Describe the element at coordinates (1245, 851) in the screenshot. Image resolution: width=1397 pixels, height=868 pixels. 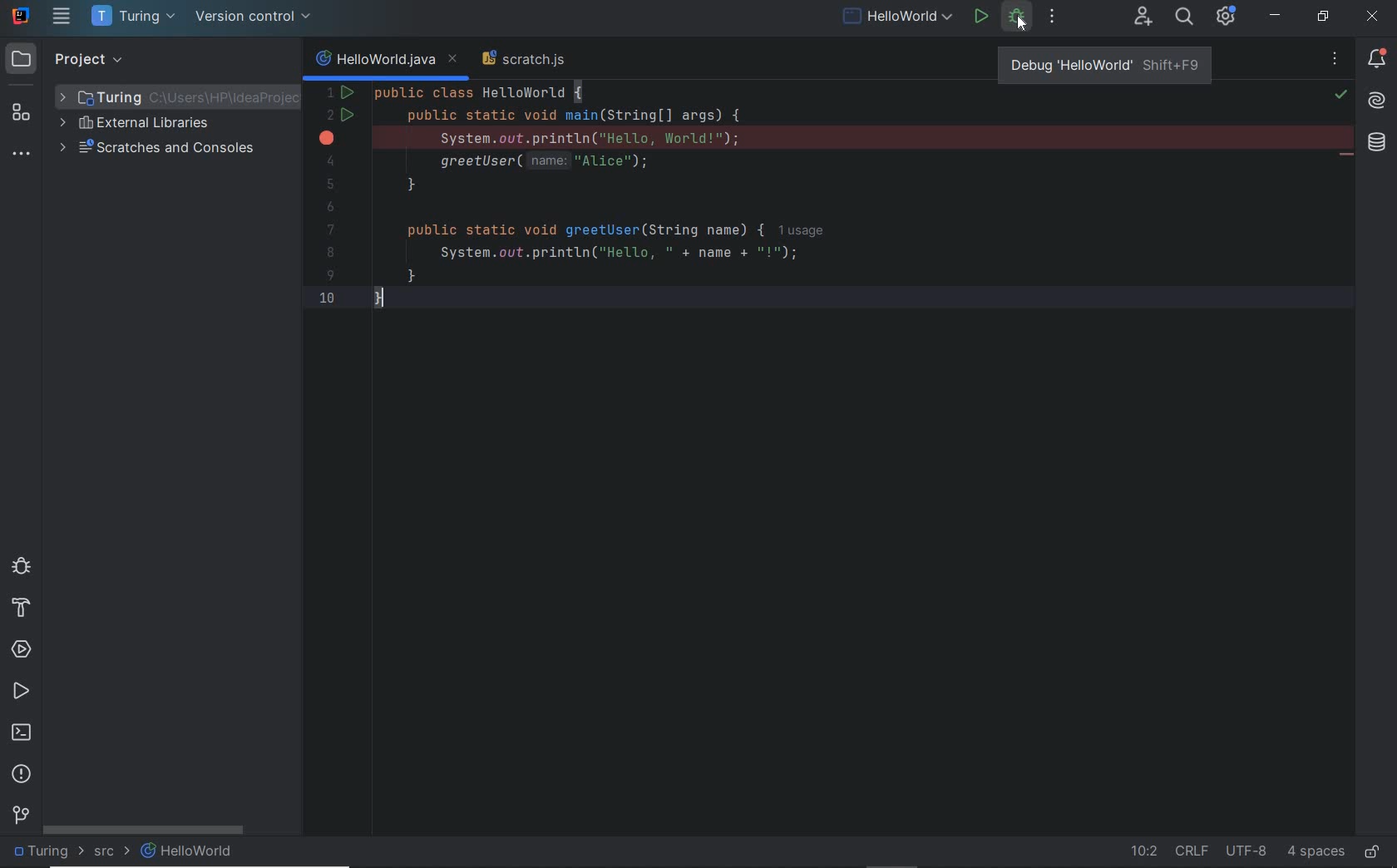
I see `file encoding` at that location.